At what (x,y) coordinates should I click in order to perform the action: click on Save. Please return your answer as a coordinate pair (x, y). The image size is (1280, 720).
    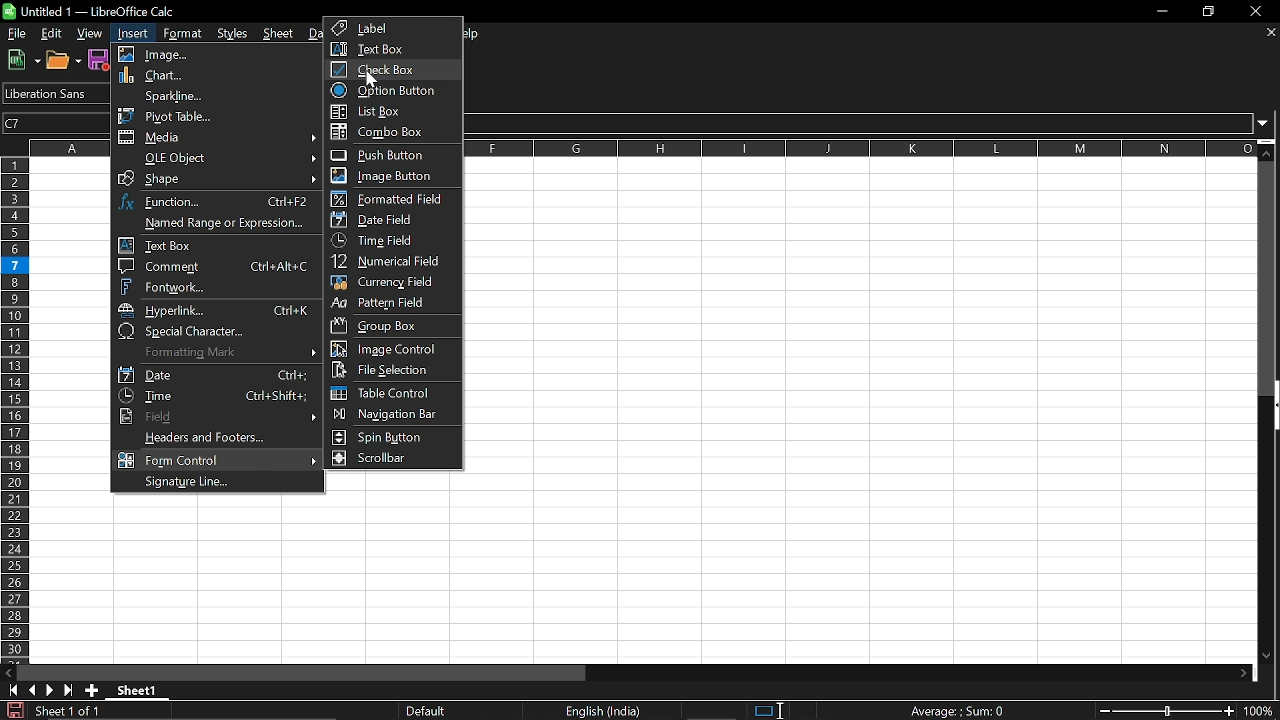
    Looking at the image, I should click on (99, 59).